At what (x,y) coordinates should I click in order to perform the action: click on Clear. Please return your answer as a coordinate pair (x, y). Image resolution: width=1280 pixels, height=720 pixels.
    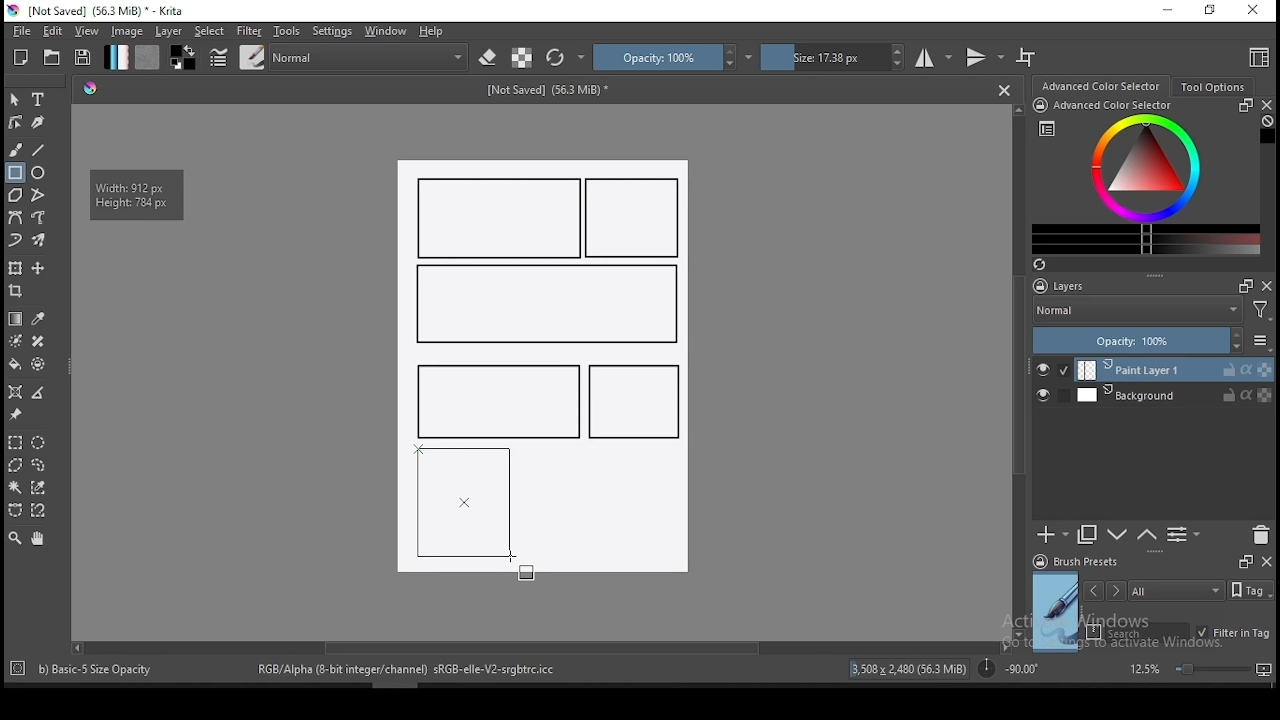
    Looking at the image, I should click on (1267, 123).